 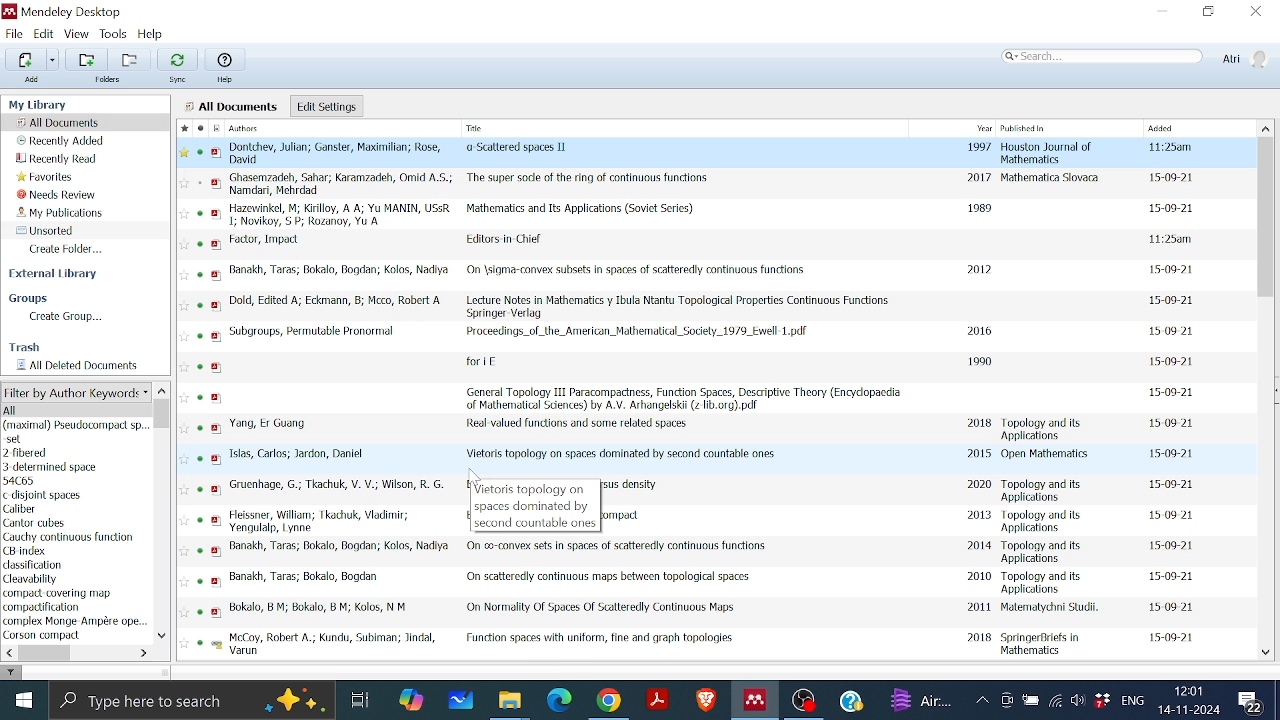 I want to click on Author, so click(x=340, y=548).